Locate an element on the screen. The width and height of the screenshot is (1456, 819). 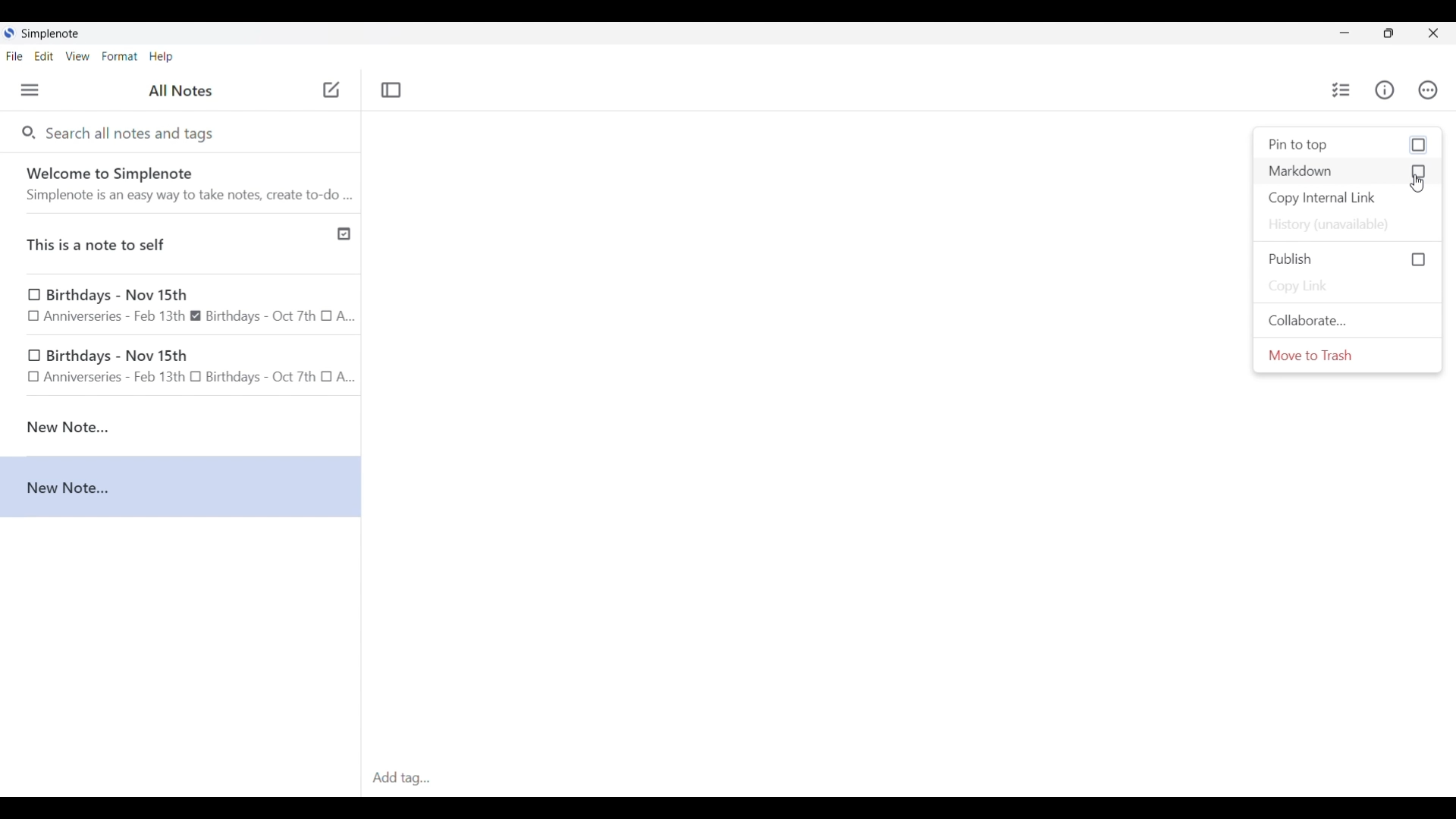
Show interface in a smaller tab is located at coordinates (1389, 33).